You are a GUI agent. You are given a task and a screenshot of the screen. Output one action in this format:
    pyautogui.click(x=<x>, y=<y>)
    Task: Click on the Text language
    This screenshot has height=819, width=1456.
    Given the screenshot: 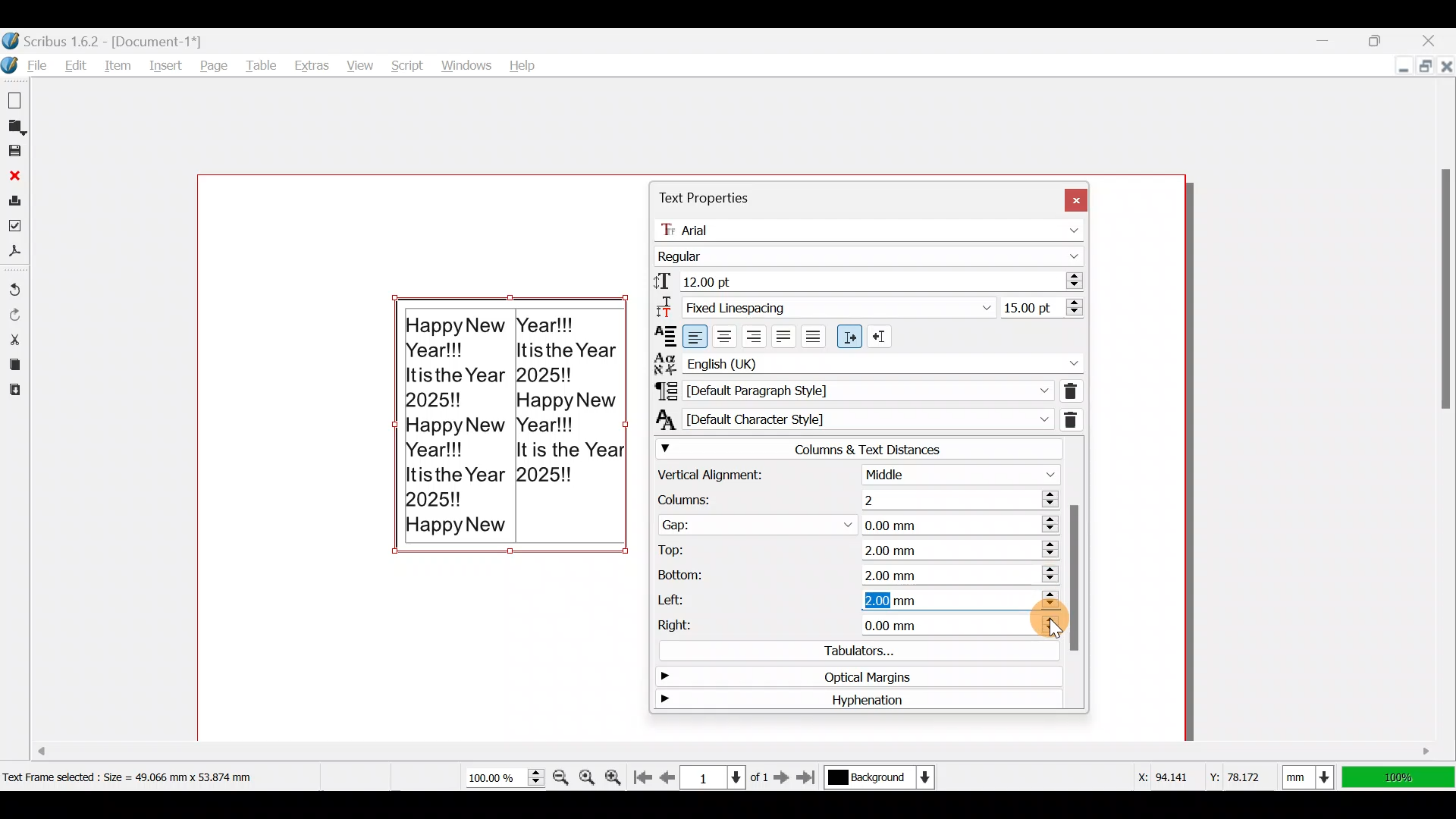 What is the action you would take?
    pyautogui.click(x=868, y=361)
    